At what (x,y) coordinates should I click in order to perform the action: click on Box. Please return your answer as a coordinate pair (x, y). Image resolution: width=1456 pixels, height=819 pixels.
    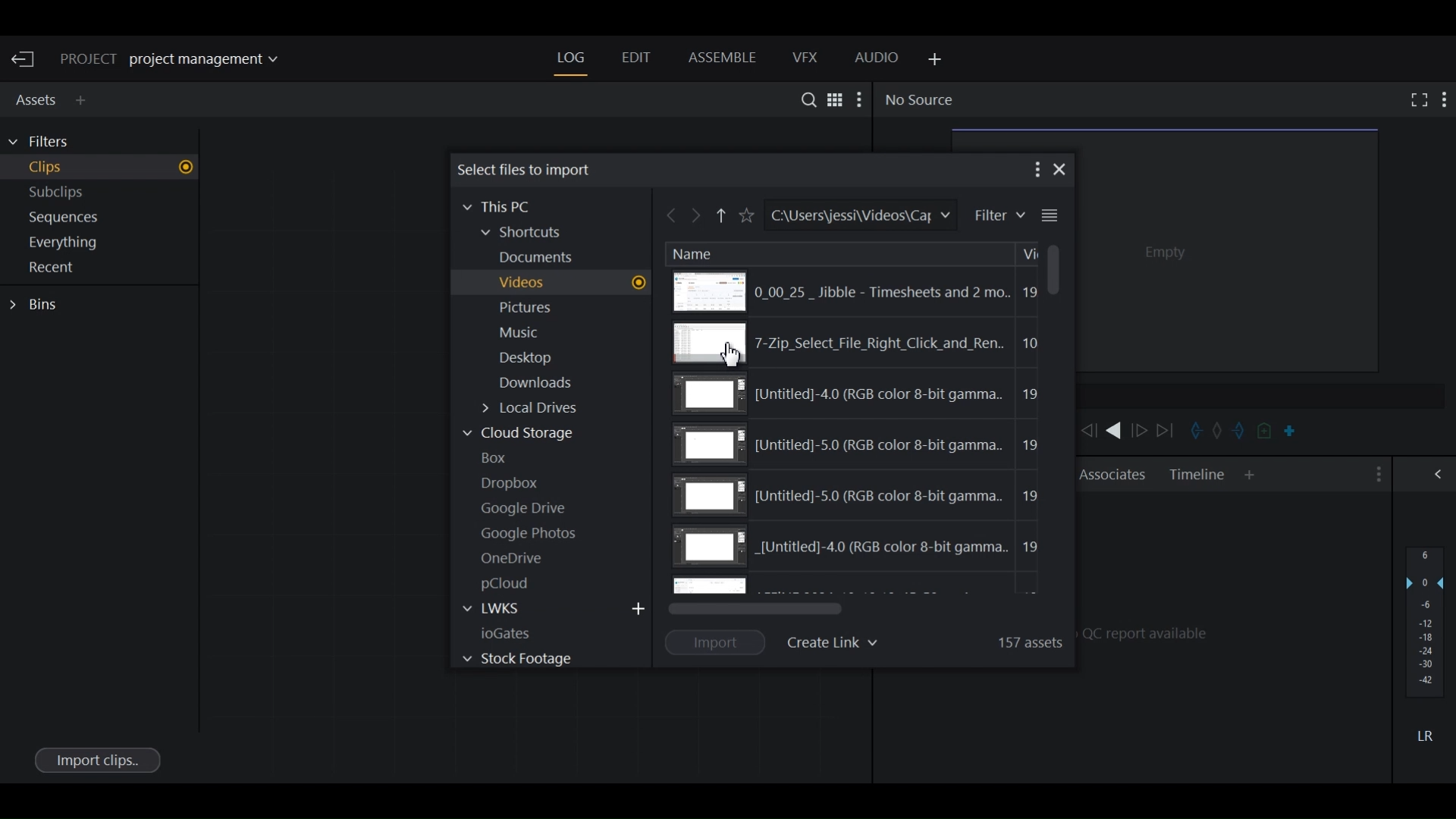
    Looking at the image, I should click on (501, 457).